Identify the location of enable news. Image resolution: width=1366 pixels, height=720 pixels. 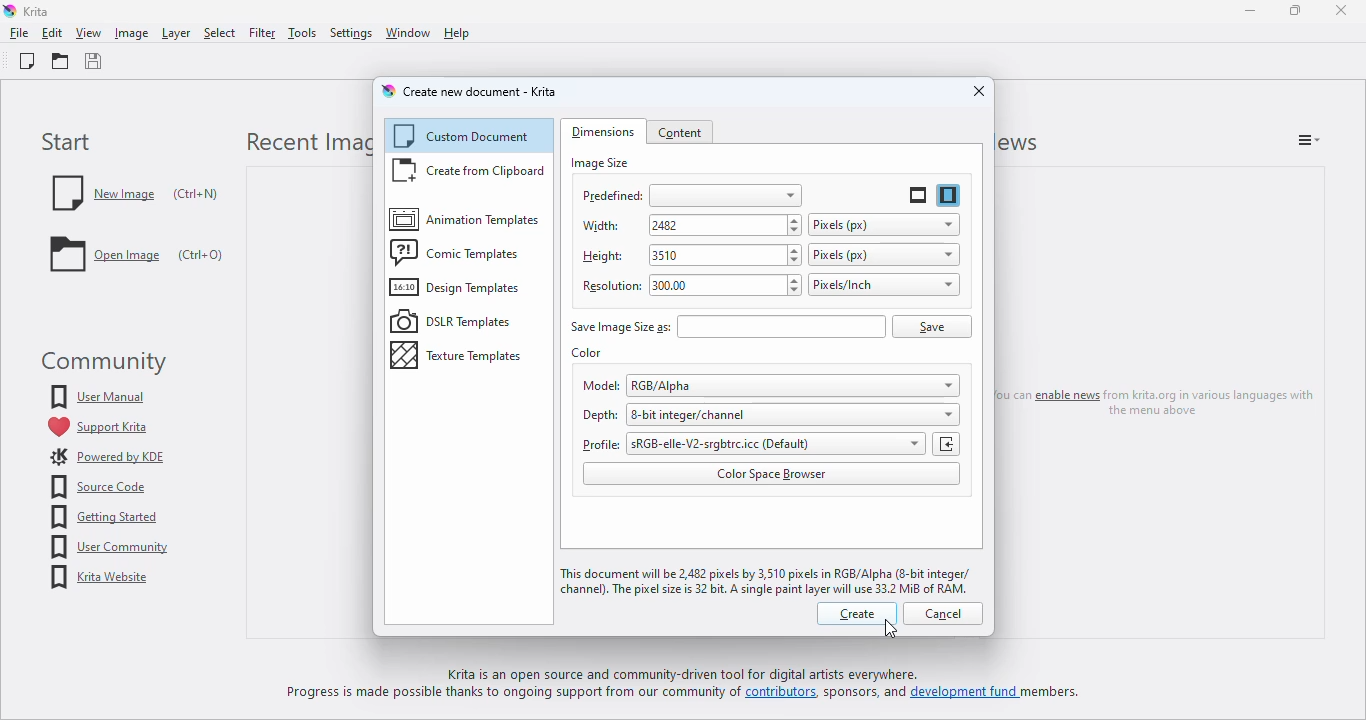
(1065, 396).